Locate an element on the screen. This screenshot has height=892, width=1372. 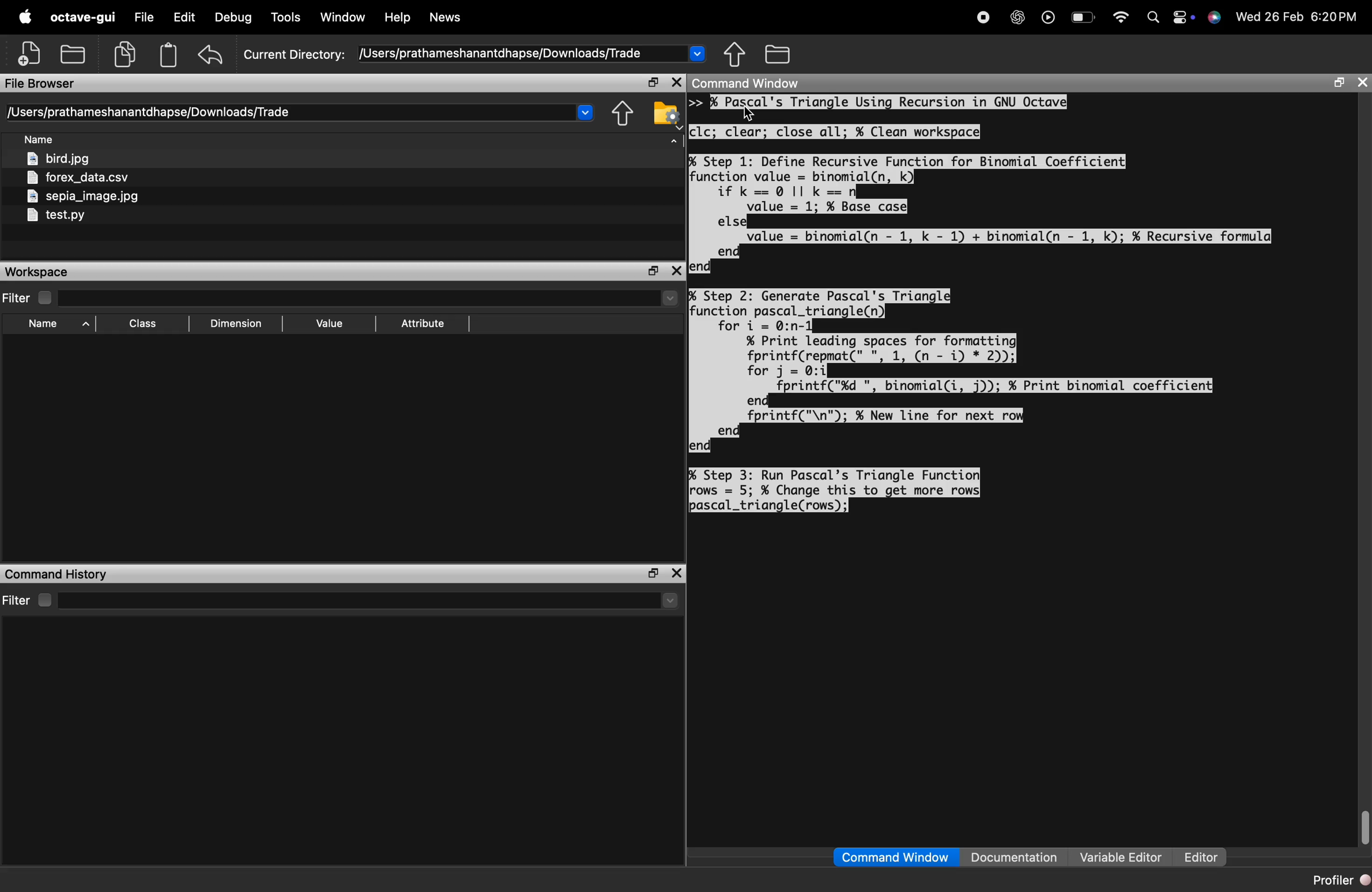
Folder is located at coordinates (779, 54).